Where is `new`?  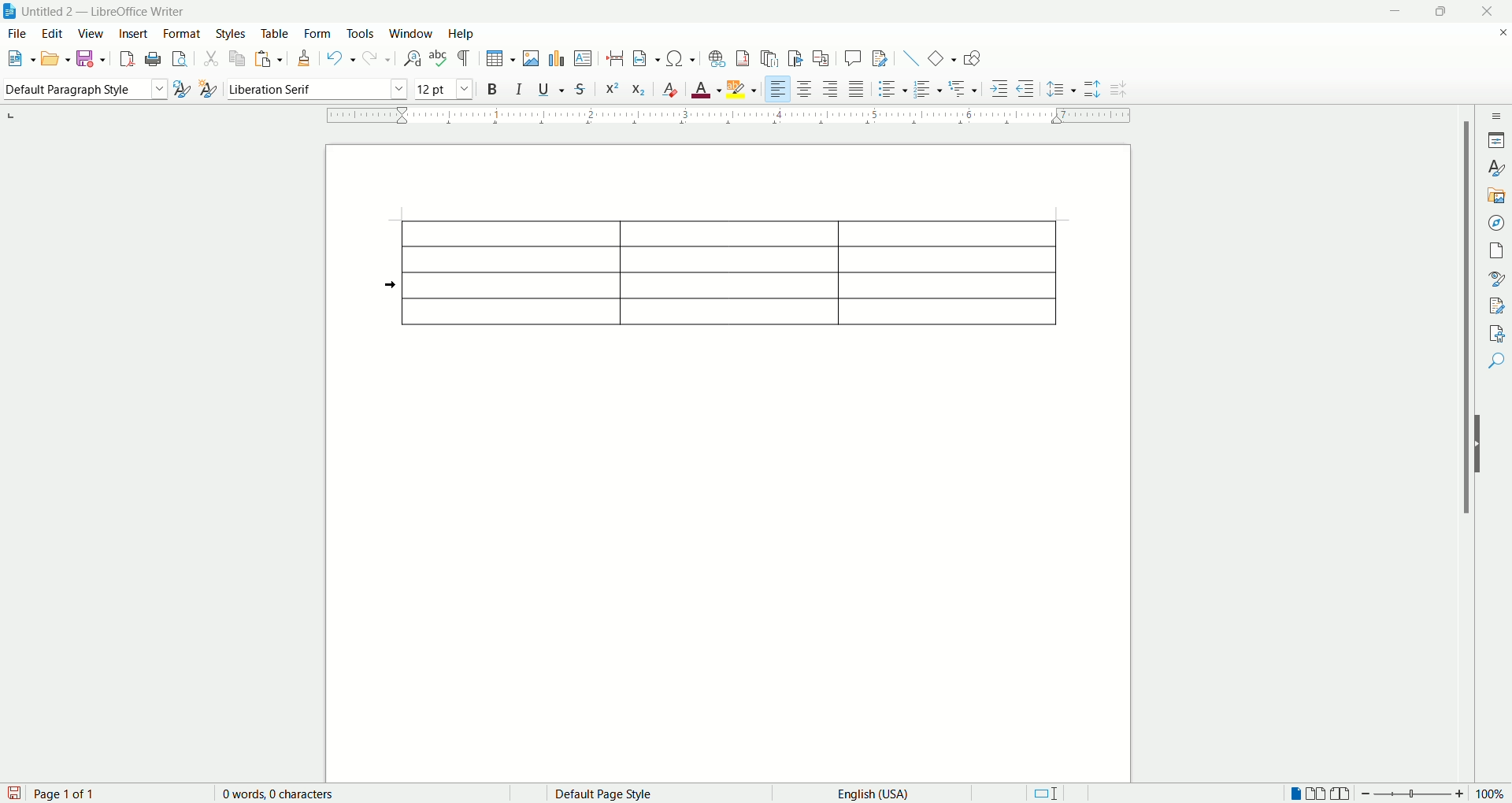 new is located at coordinates (20, 61).